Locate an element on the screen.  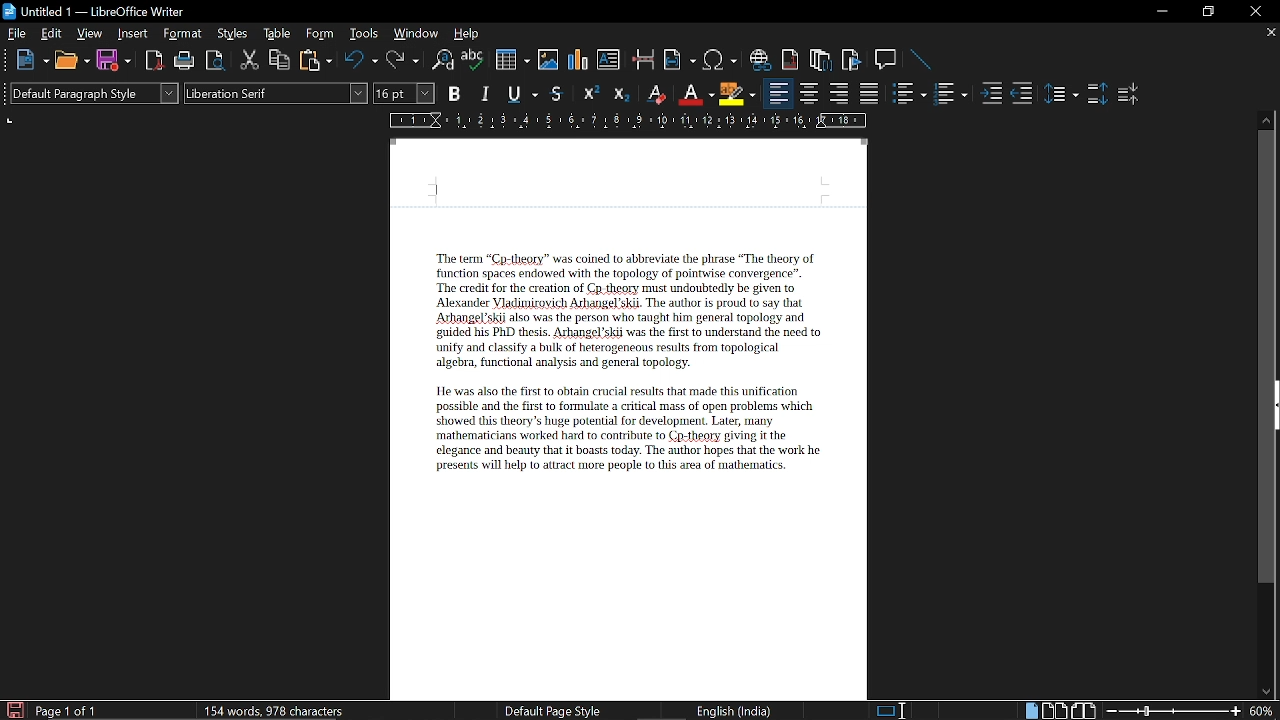
Insert endnote is located at coordinates (793, 61).